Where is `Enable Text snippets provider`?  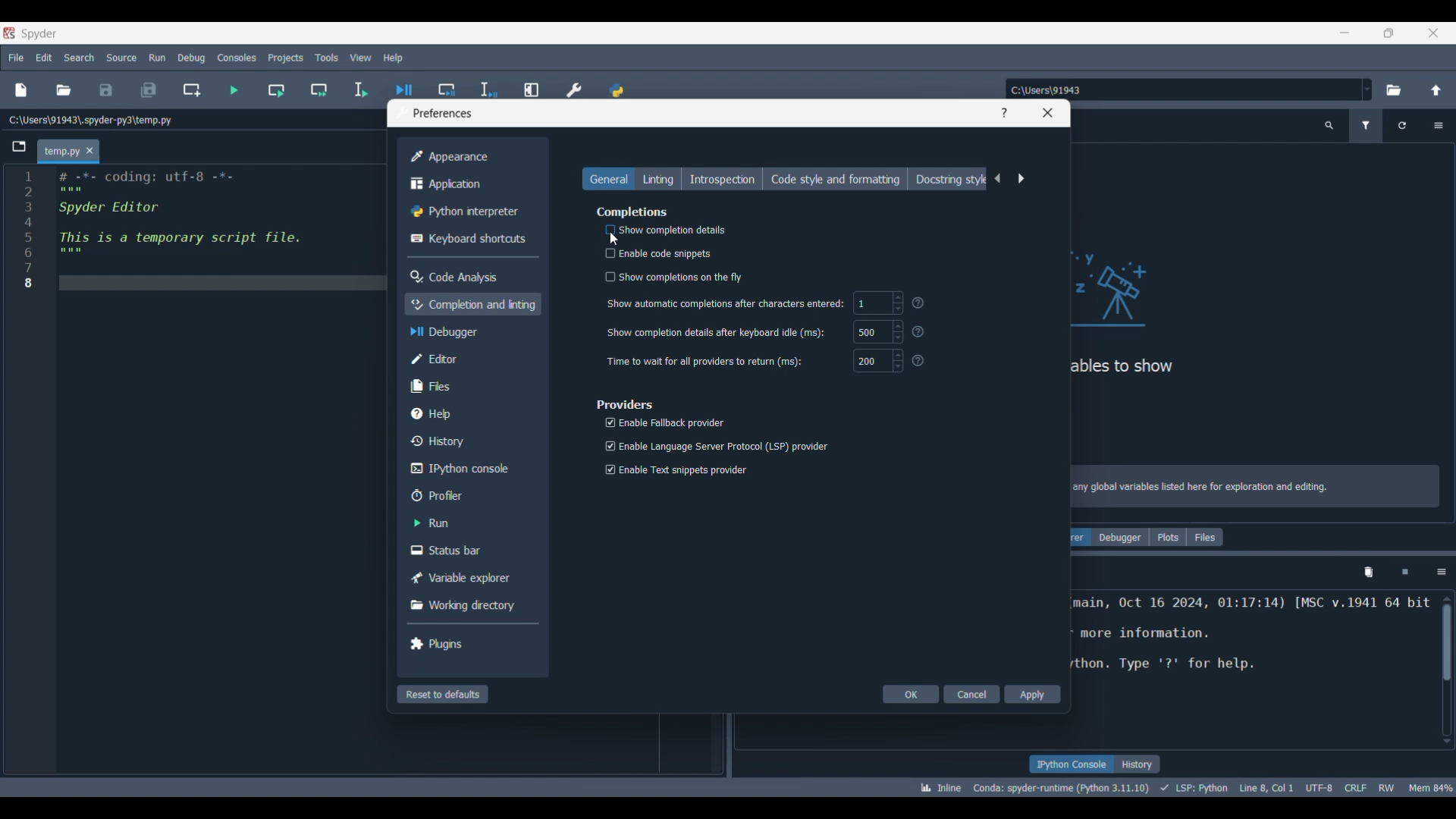
Enable Text snippets provider is located at coordinates (676, 469).